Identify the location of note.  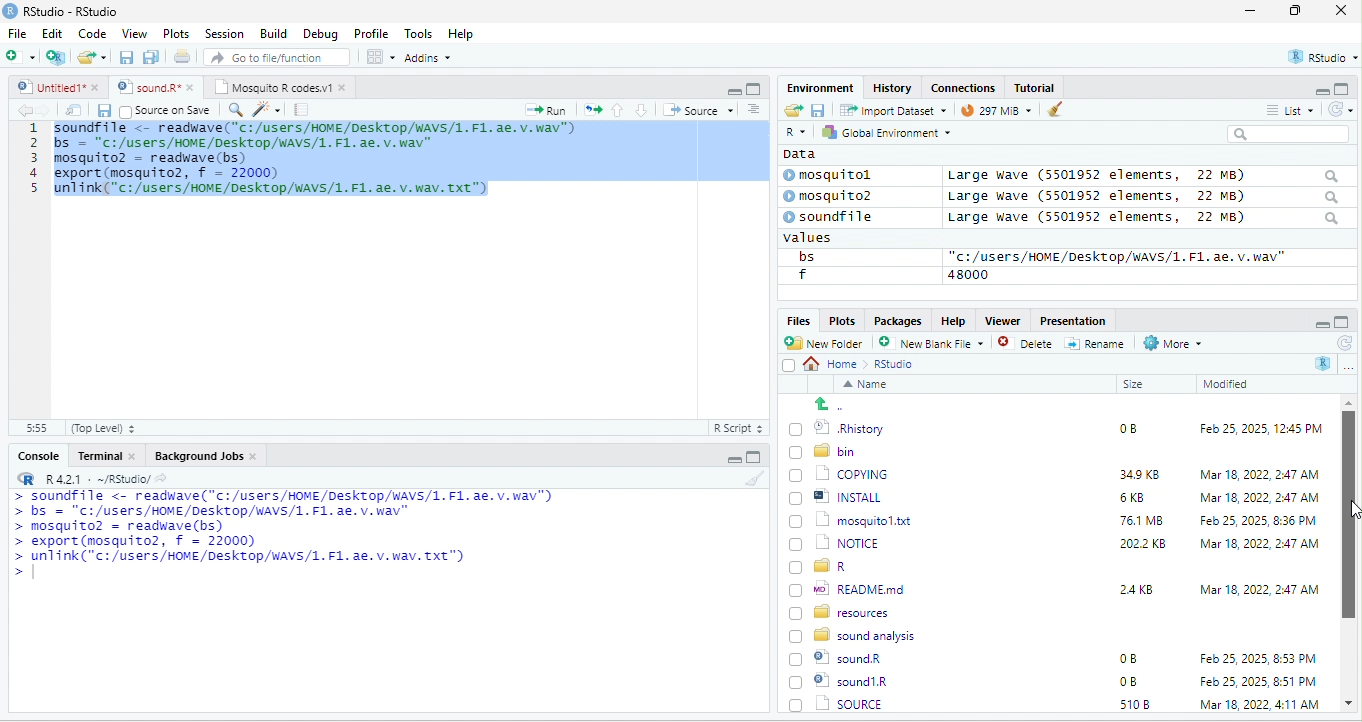
(302, 109).